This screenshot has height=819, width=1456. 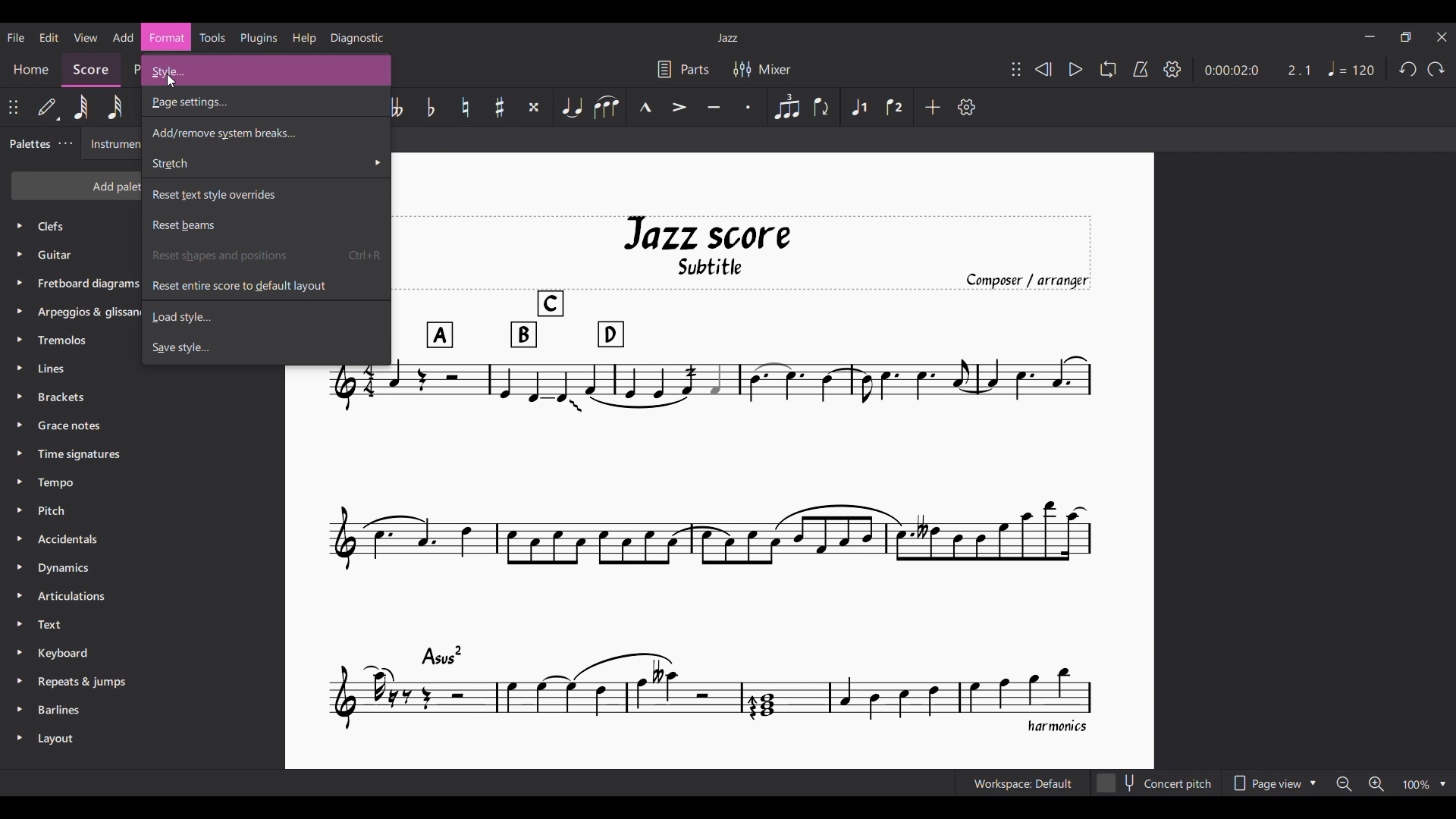 I want to click on Tie, so click(x=572, y=107).